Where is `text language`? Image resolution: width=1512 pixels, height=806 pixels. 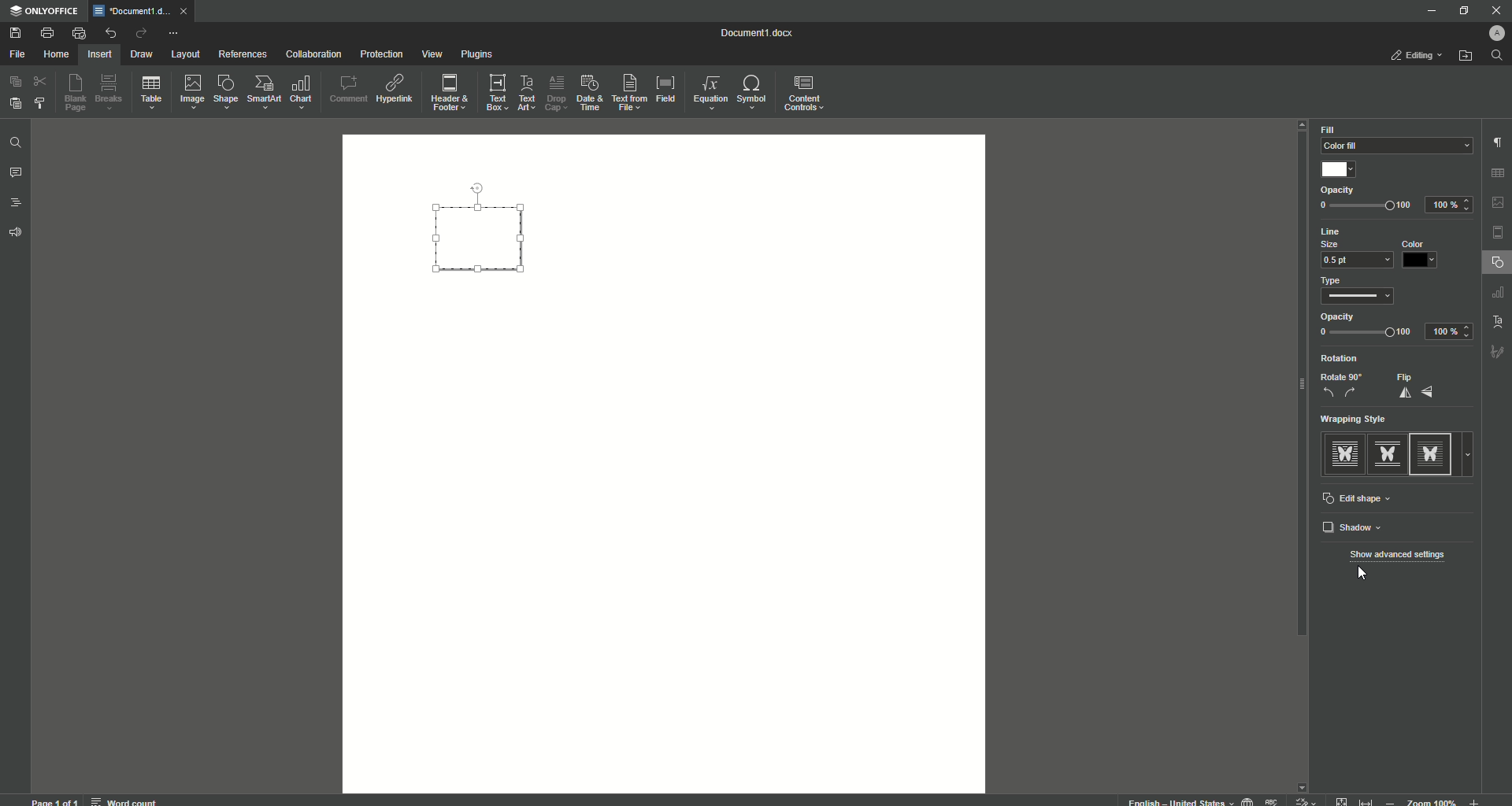
text language is located at coordinates (1173, 800).